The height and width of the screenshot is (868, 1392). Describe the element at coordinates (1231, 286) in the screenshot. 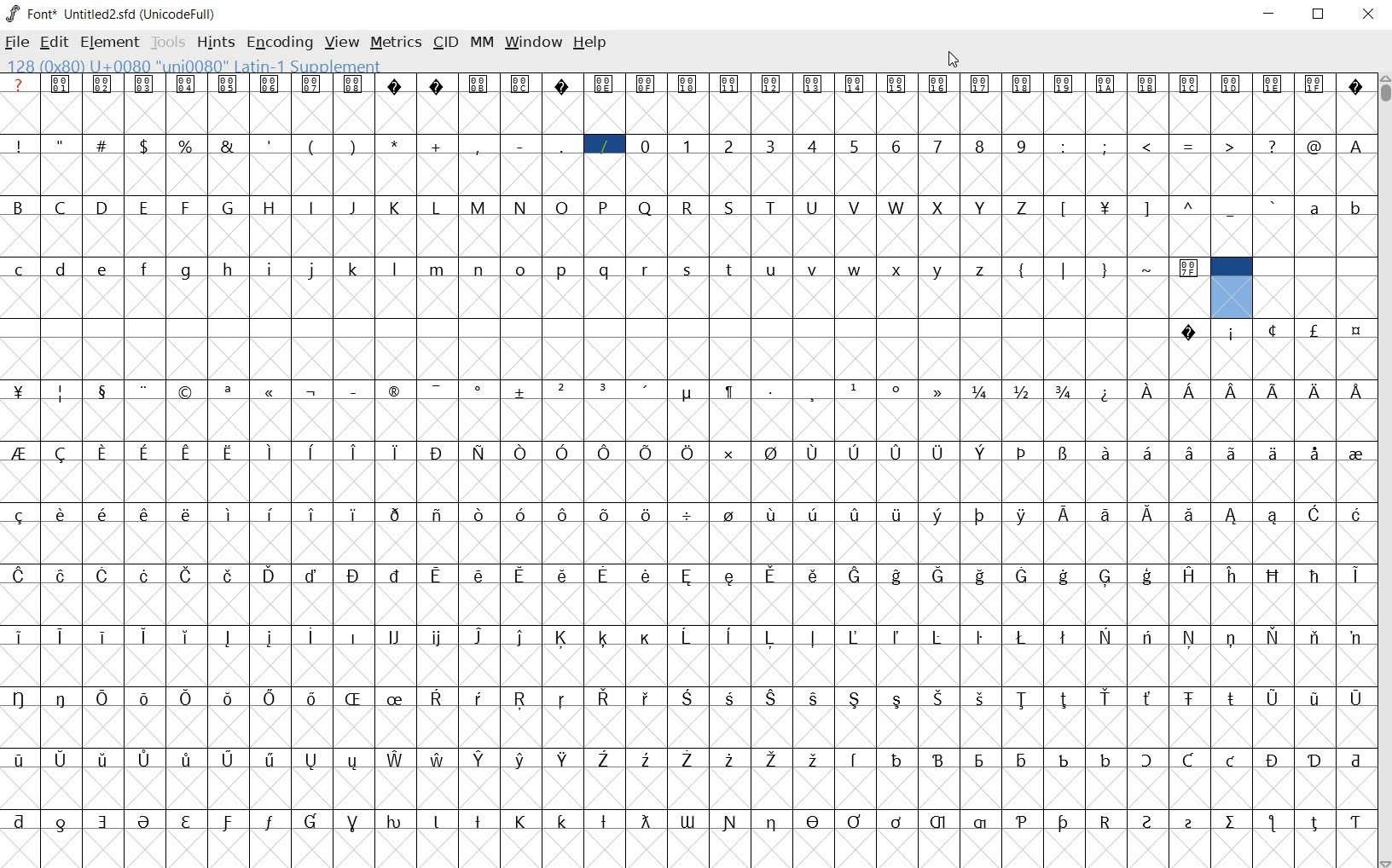

I see `selected cell` at that location.